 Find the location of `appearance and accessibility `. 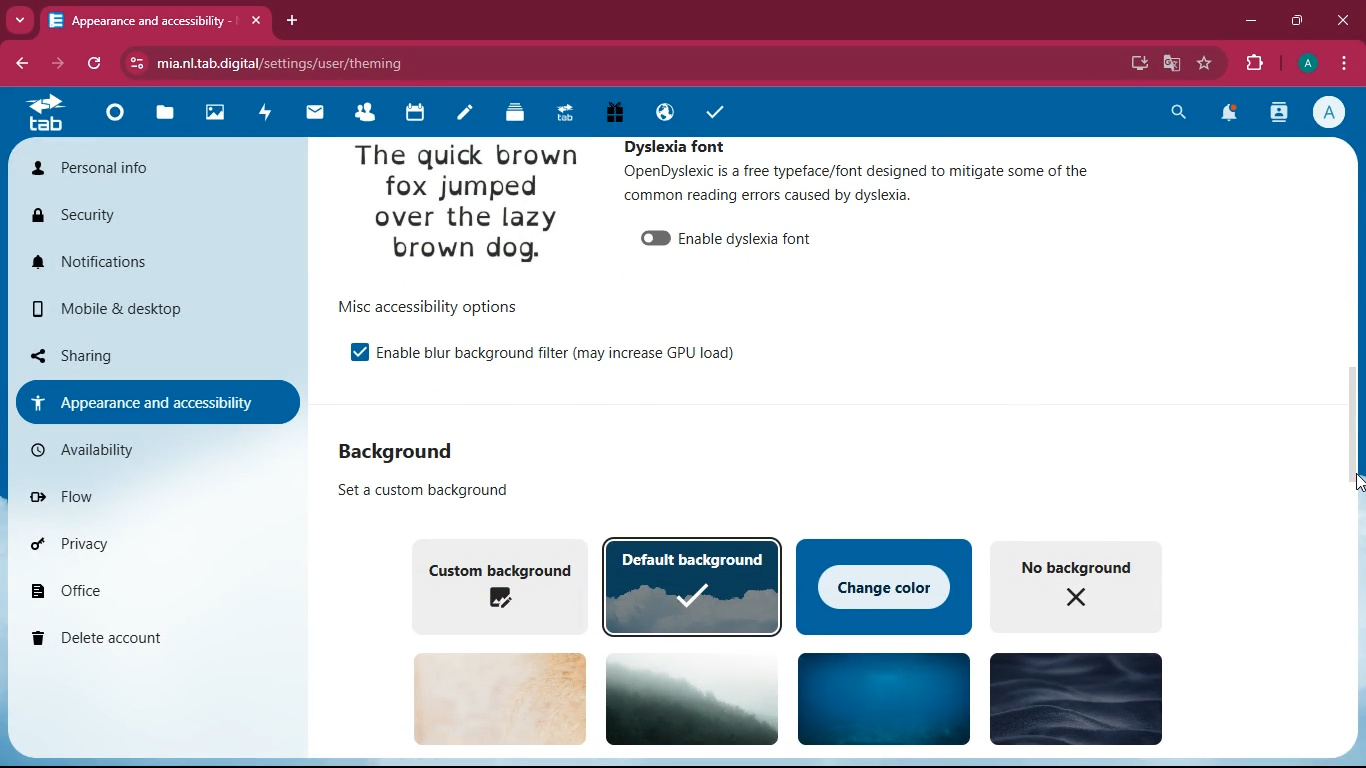

appearance and accessibility  is located at coordinates (155, 401).